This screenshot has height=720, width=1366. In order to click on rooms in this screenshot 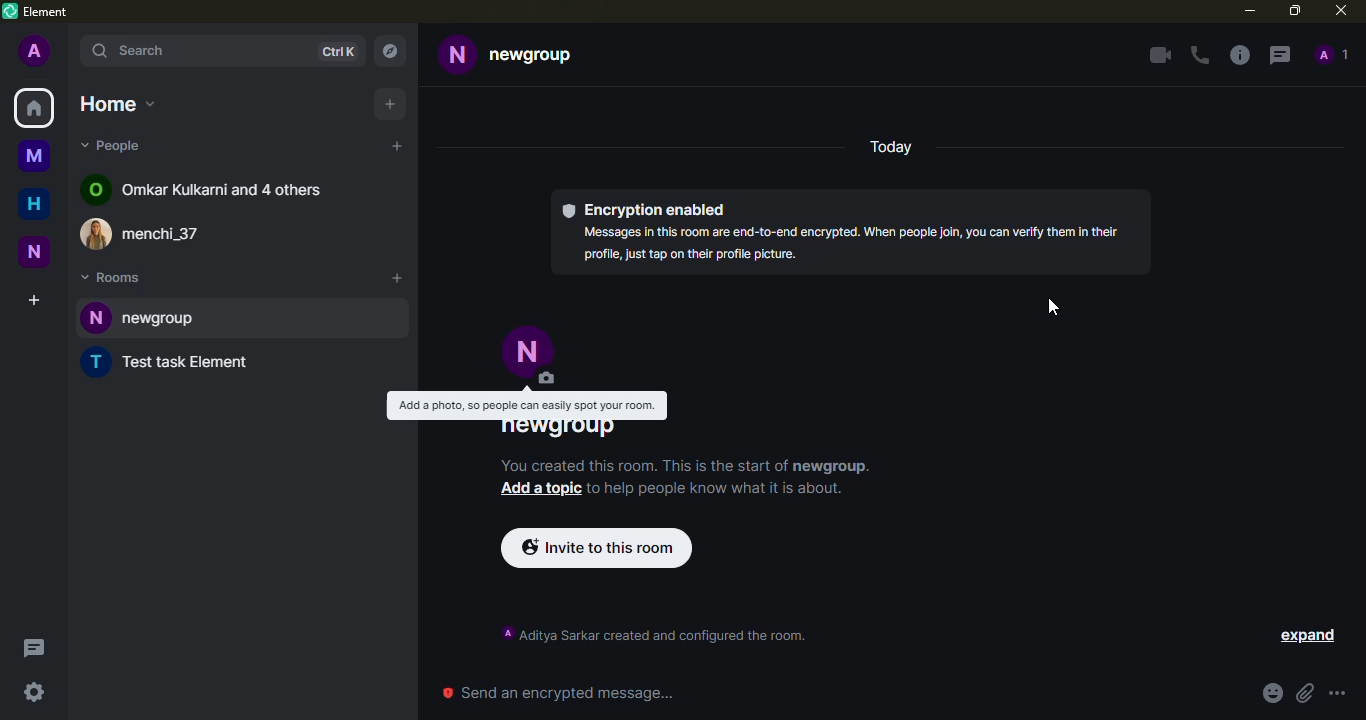, I will do `click(112, 277)`.